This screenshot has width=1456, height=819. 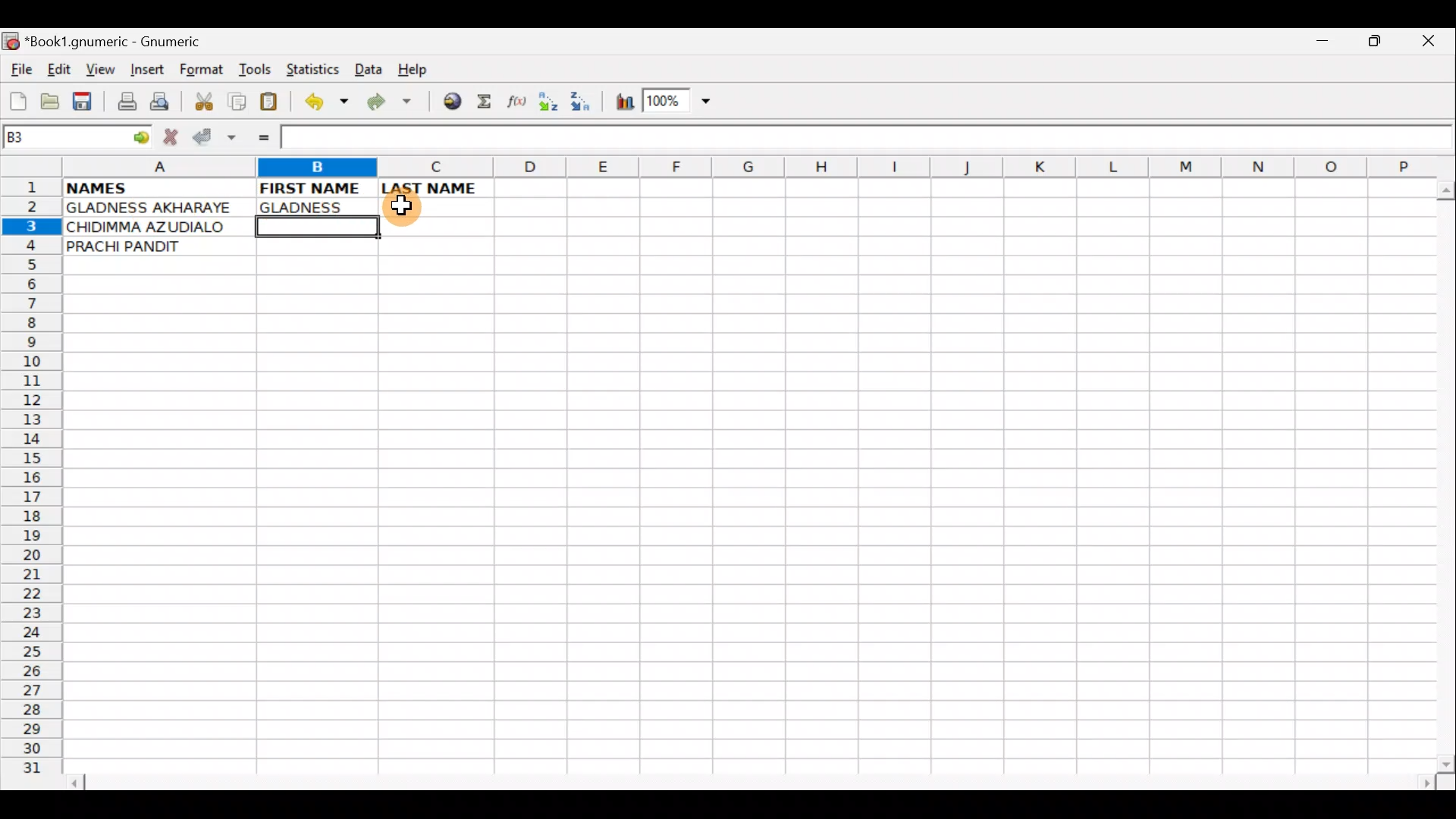 I want to click on Help, so click(x=413, y=70).